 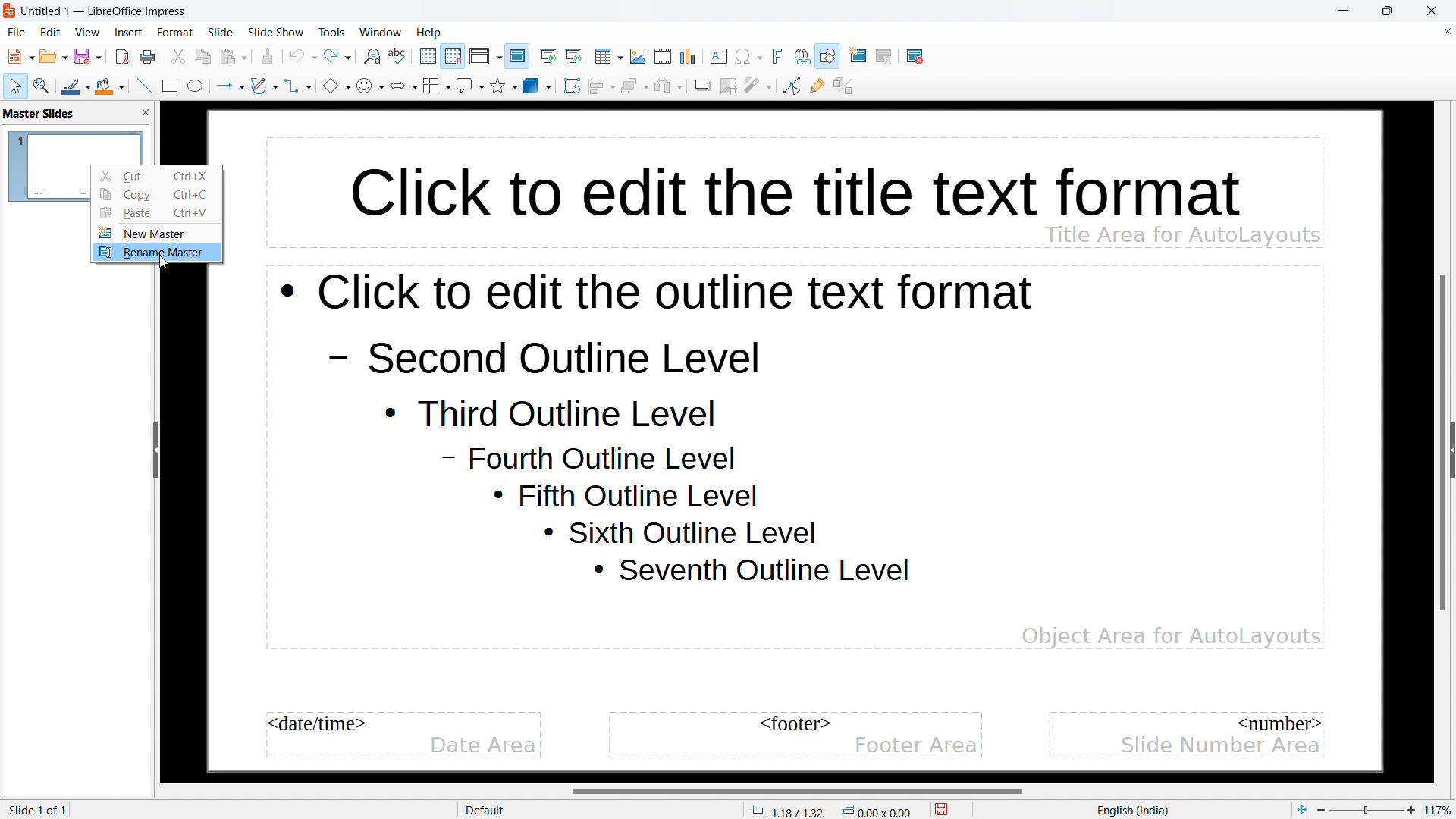 I want to click on select, so click(x=17, y=86).